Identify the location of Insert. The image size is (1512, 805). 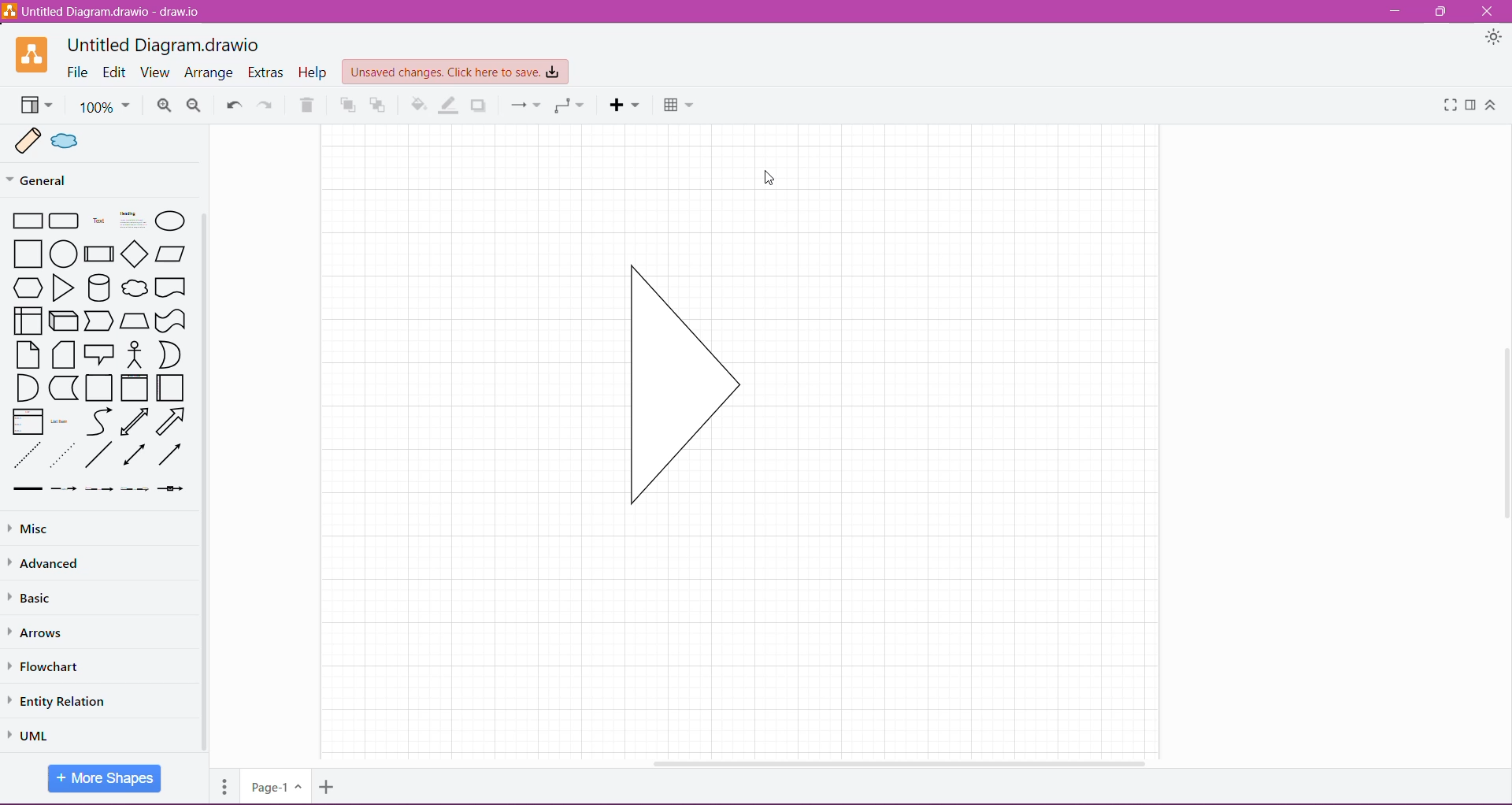
(625, 106).